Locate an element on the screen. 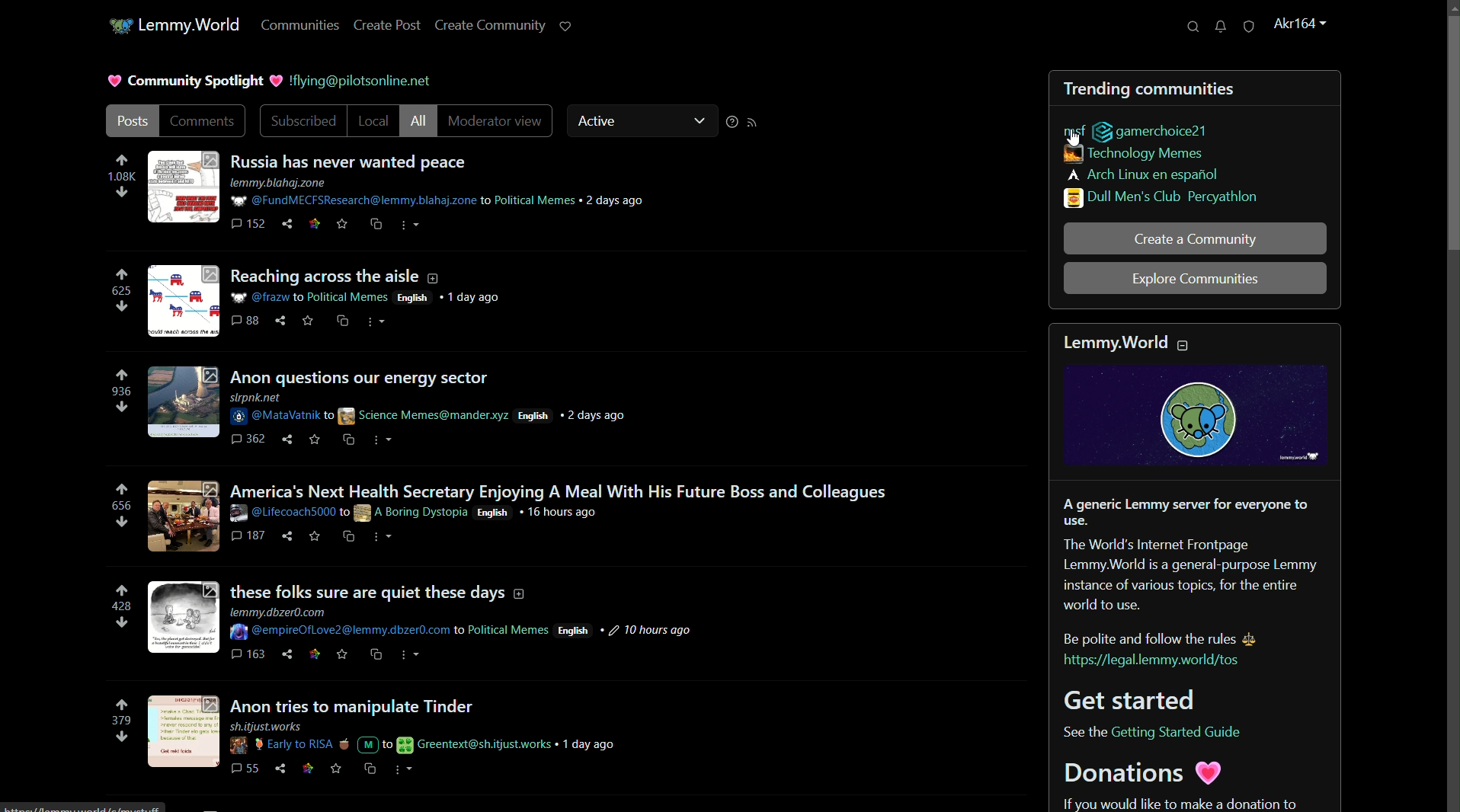 This screenshot has width=1460, height=812. downvote is located at coordinates (120, 737).